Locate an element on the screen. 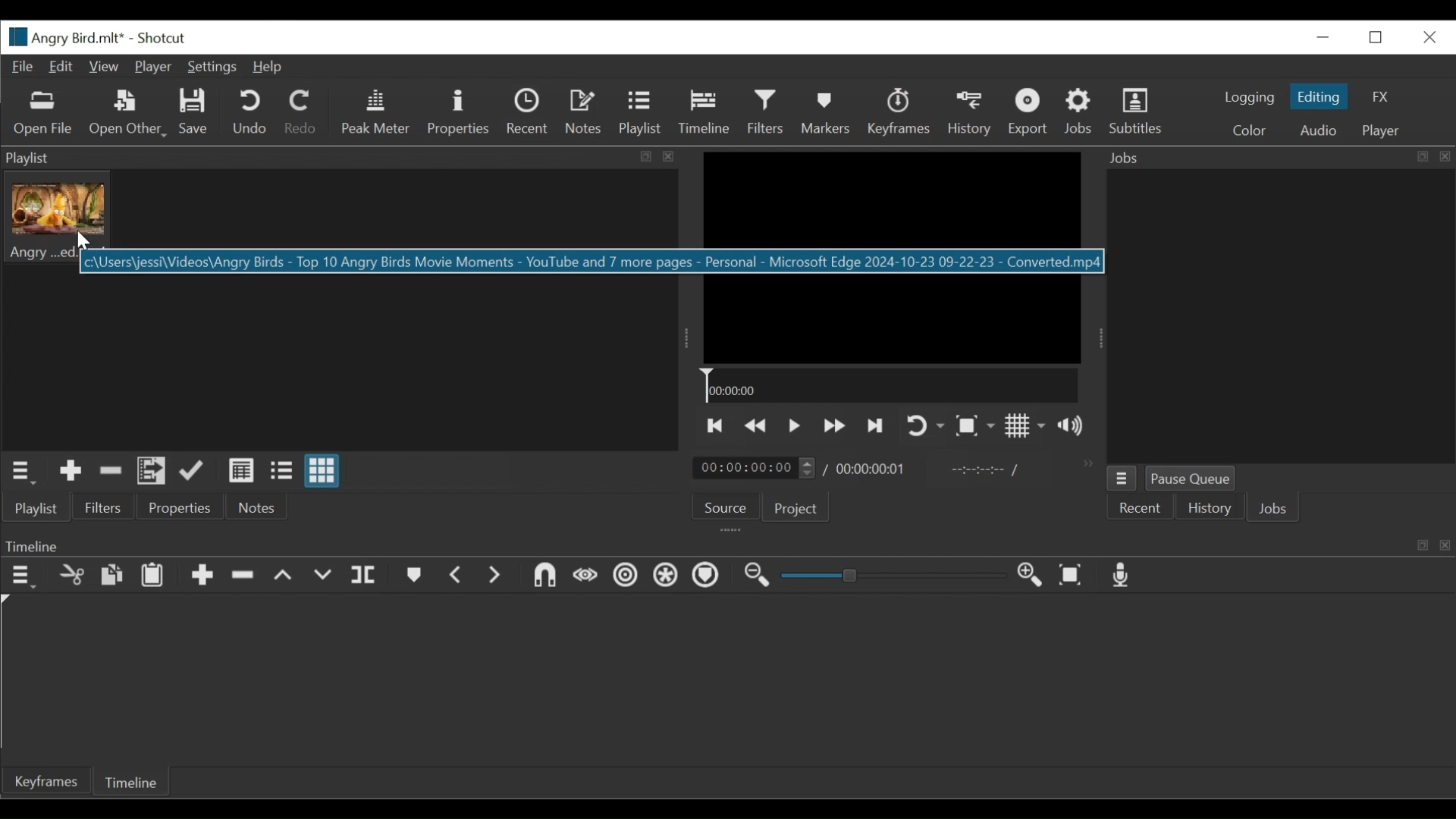  Cursor is located at coordinates (81, 242).